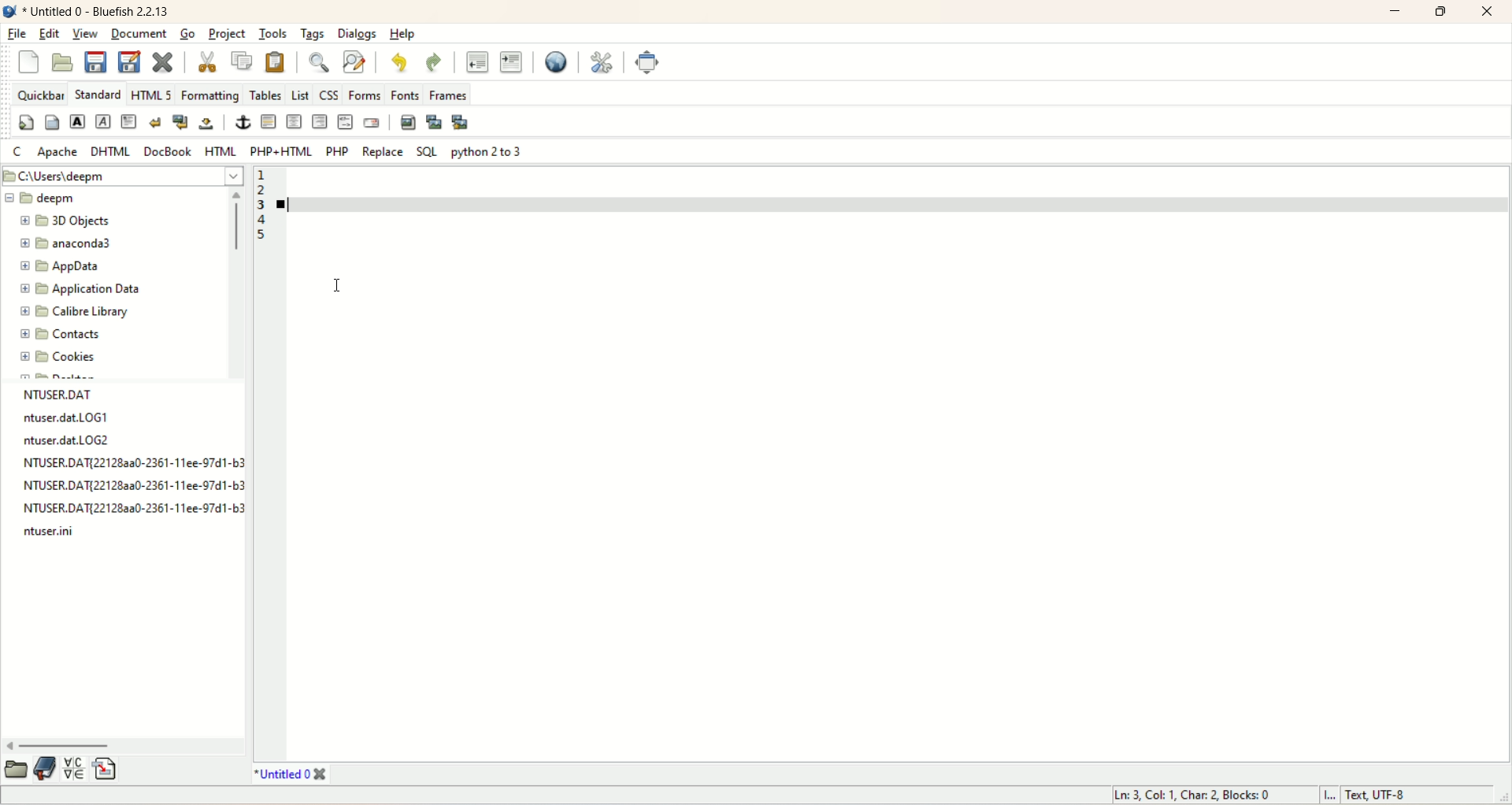  What do you see at coordinates (213, 95) in the screenshot?
I see `formatting` at bounding box center [213, 95].